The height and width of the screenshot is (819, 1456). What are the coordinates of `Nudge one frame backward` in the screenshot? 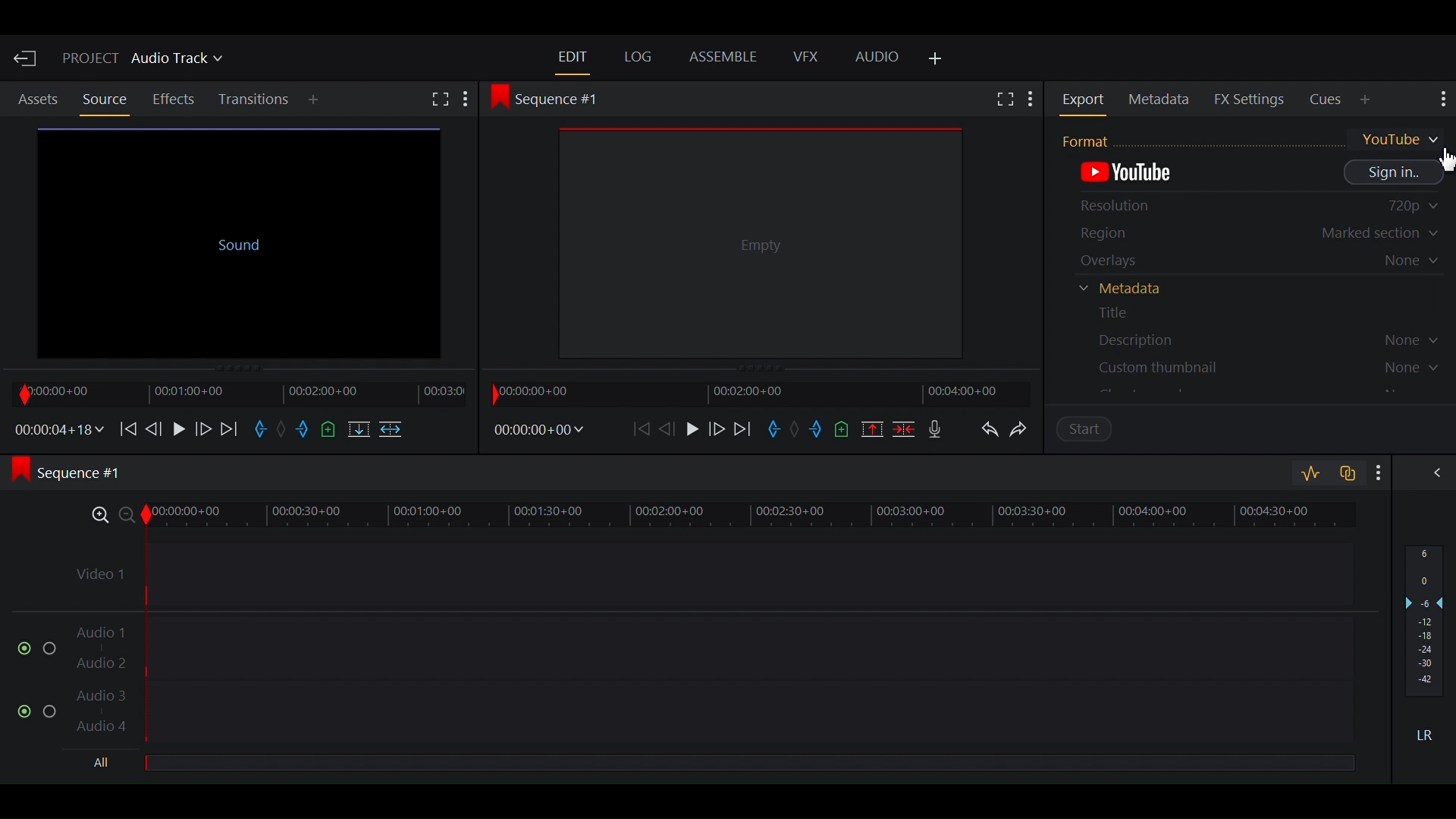 It's located at (155, 427).